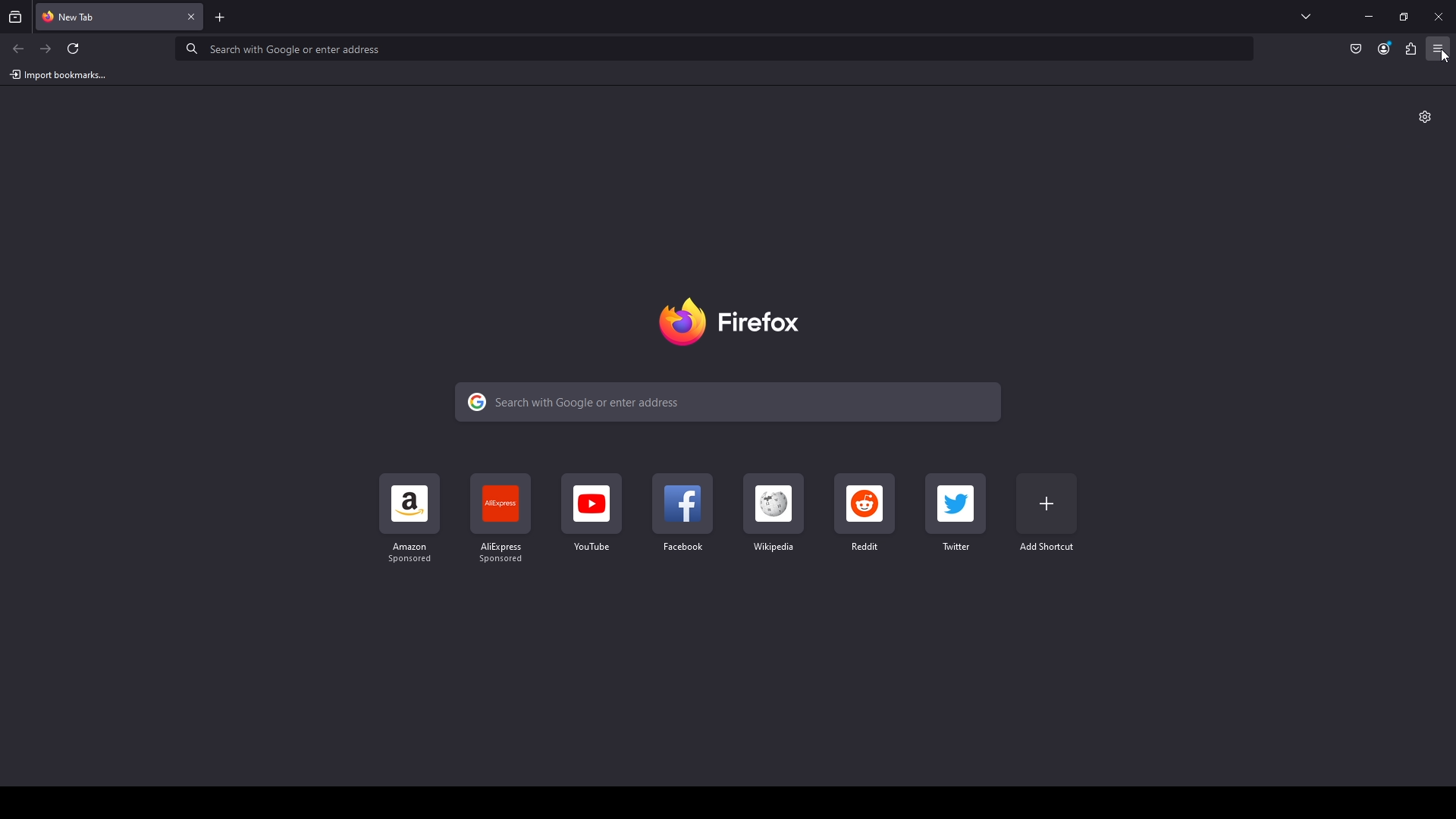  I want to click on cursor, so click(1437, 55).